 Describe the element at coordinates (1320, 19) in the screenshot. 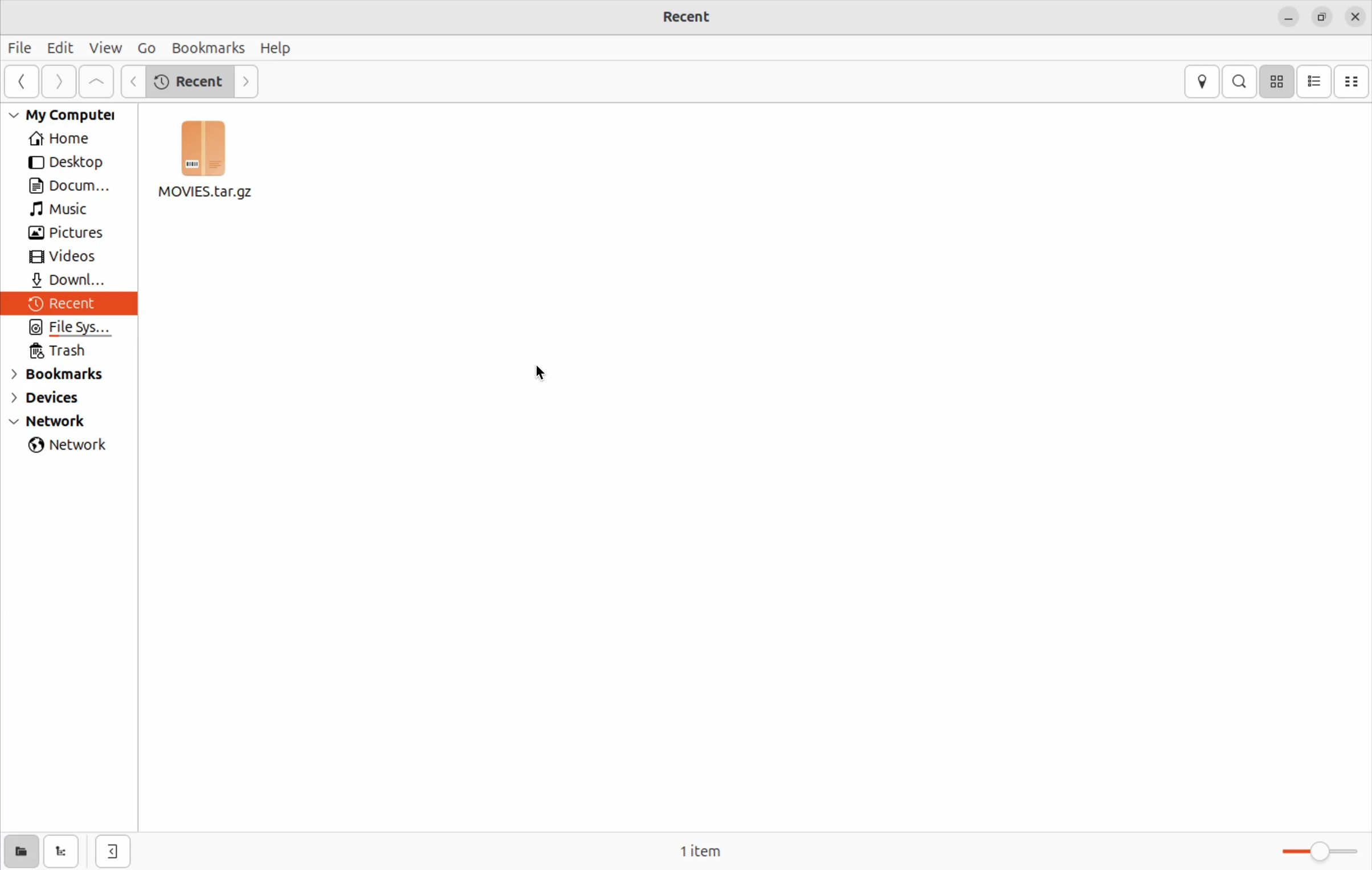

I see `resize` at that location.